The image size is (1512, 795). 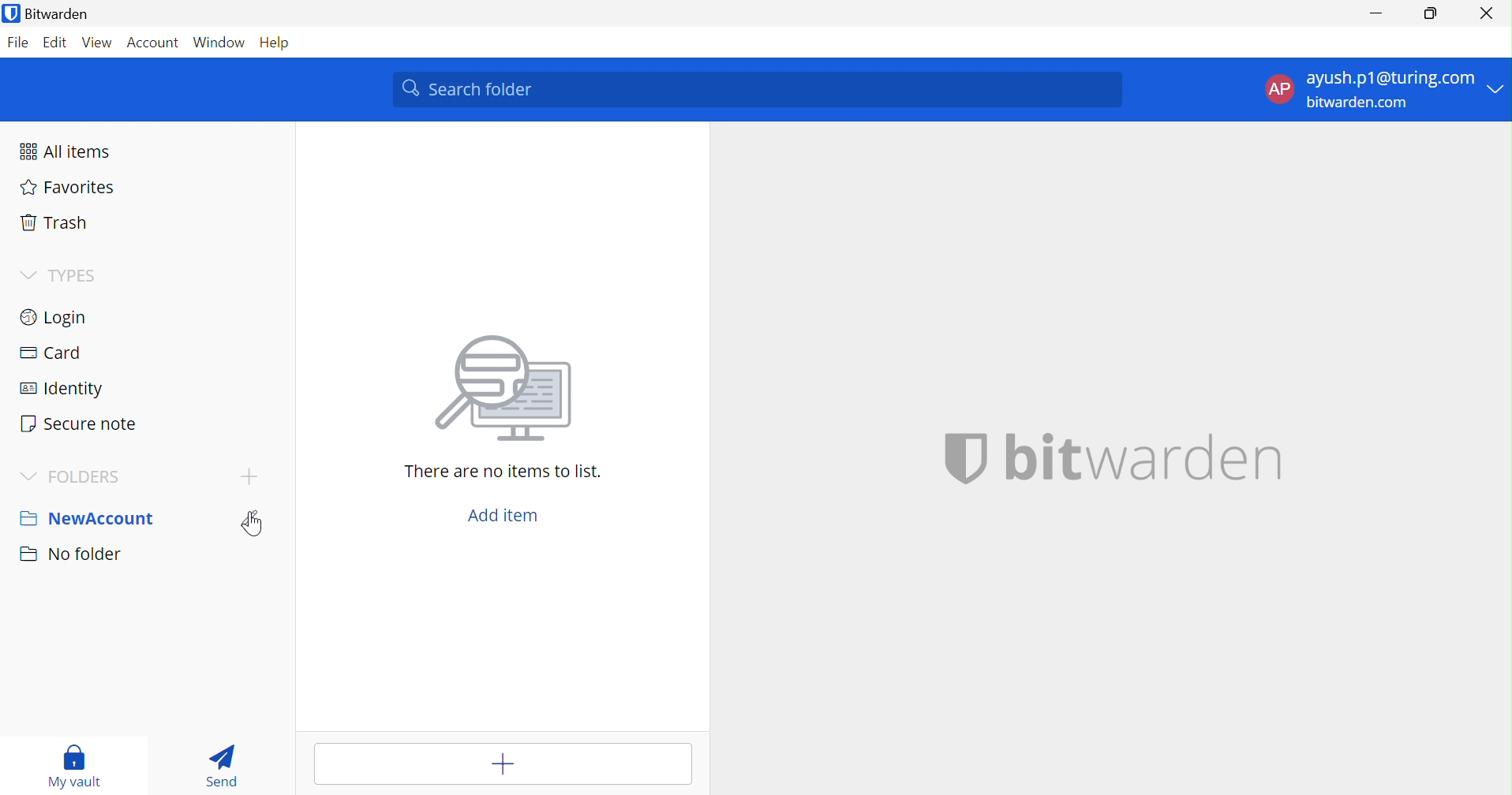 I want to click on Help, so click(x=271, y=43).